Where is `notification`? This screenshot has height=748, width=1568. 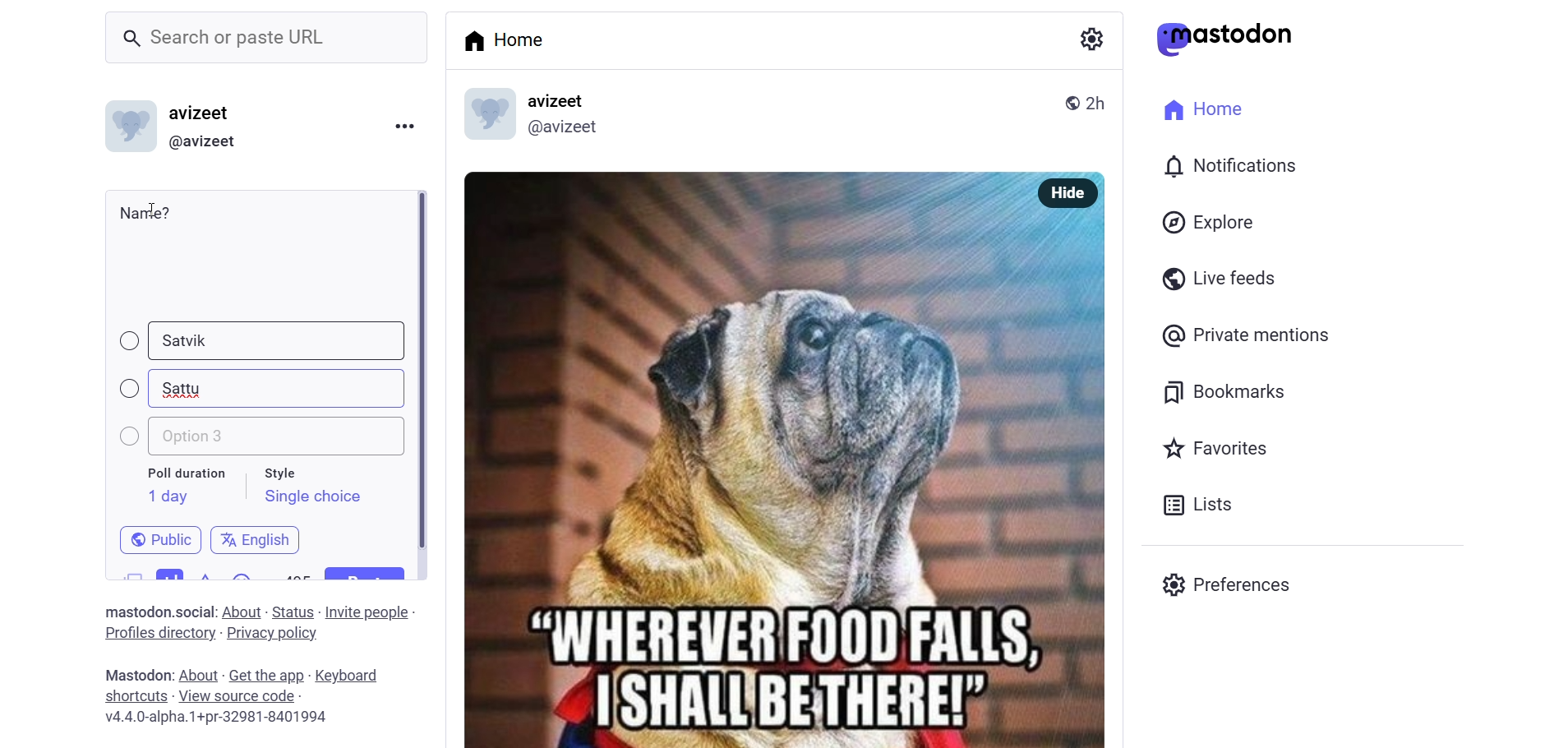
notification is located at coordinates (1228, 168).